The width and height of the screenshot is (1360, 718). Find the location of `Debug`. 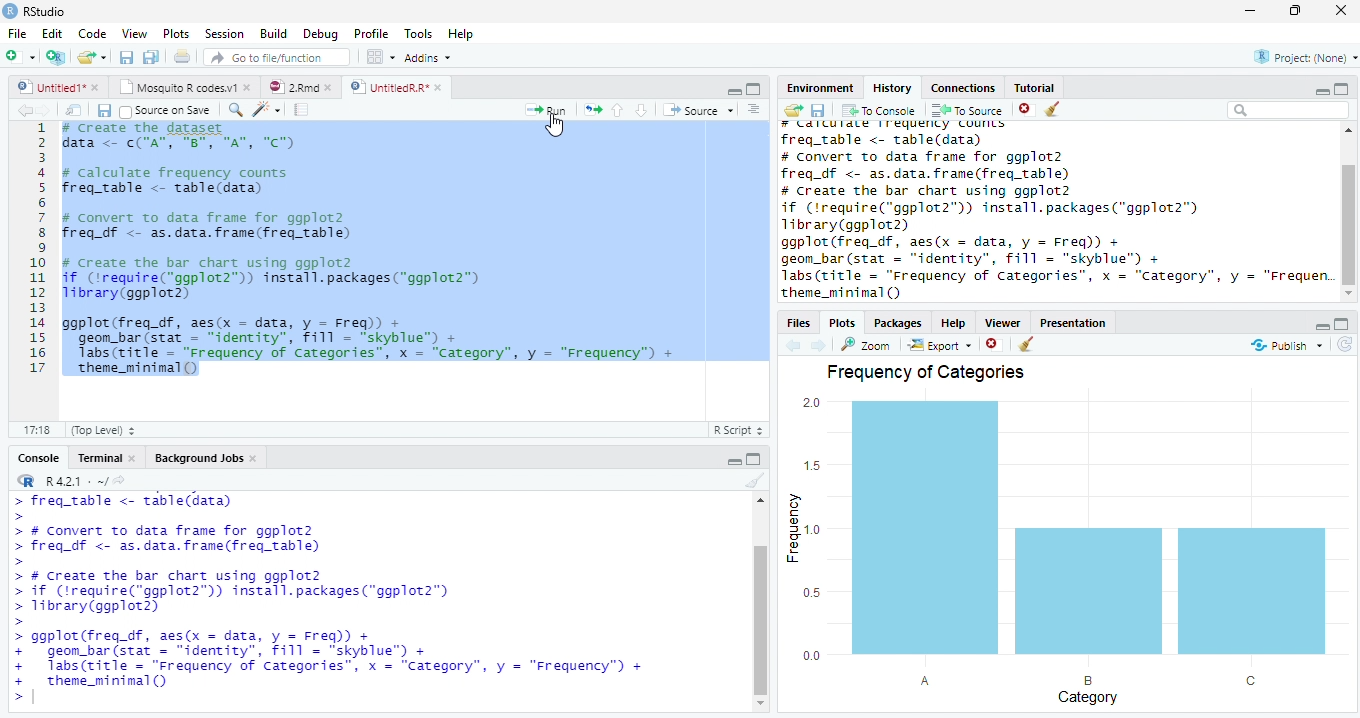

Debug is located at coordinates (321, 33).